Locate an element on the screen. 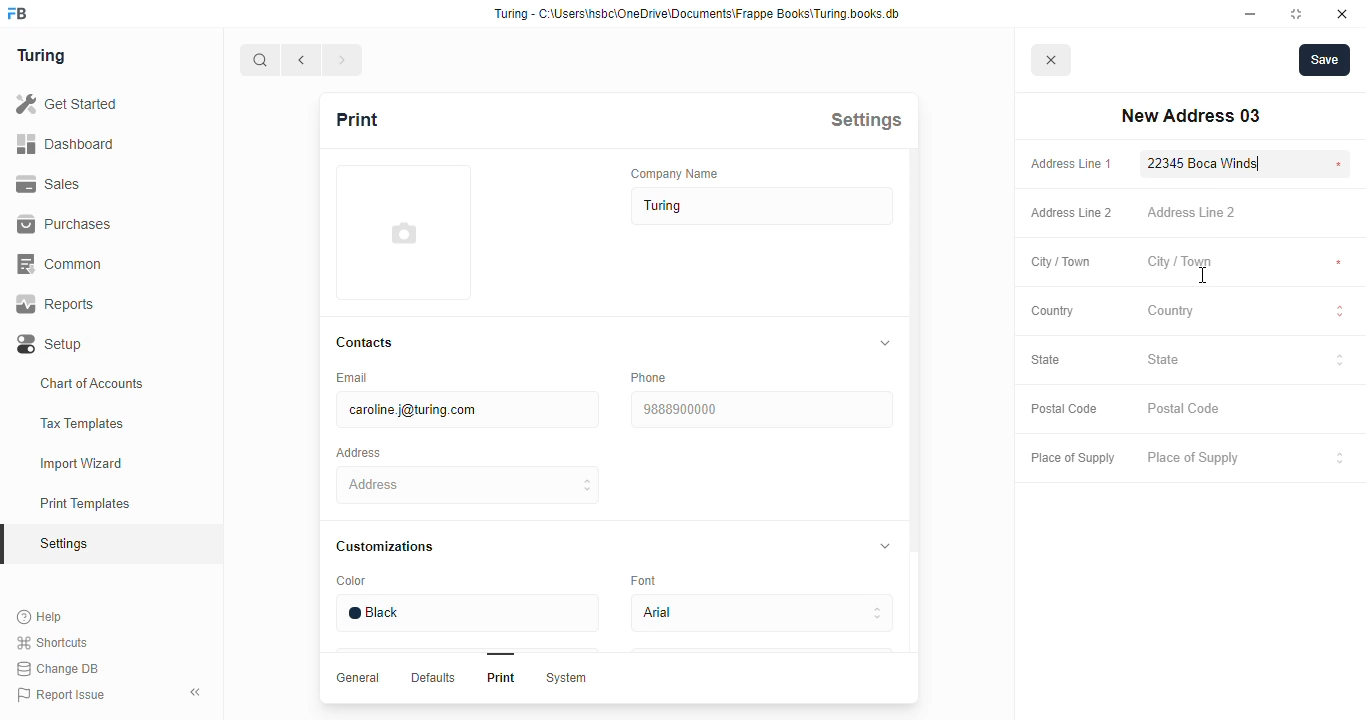 This screenshot has height=720, width=1366. address line 2 is located at coordinates (1072, 213).